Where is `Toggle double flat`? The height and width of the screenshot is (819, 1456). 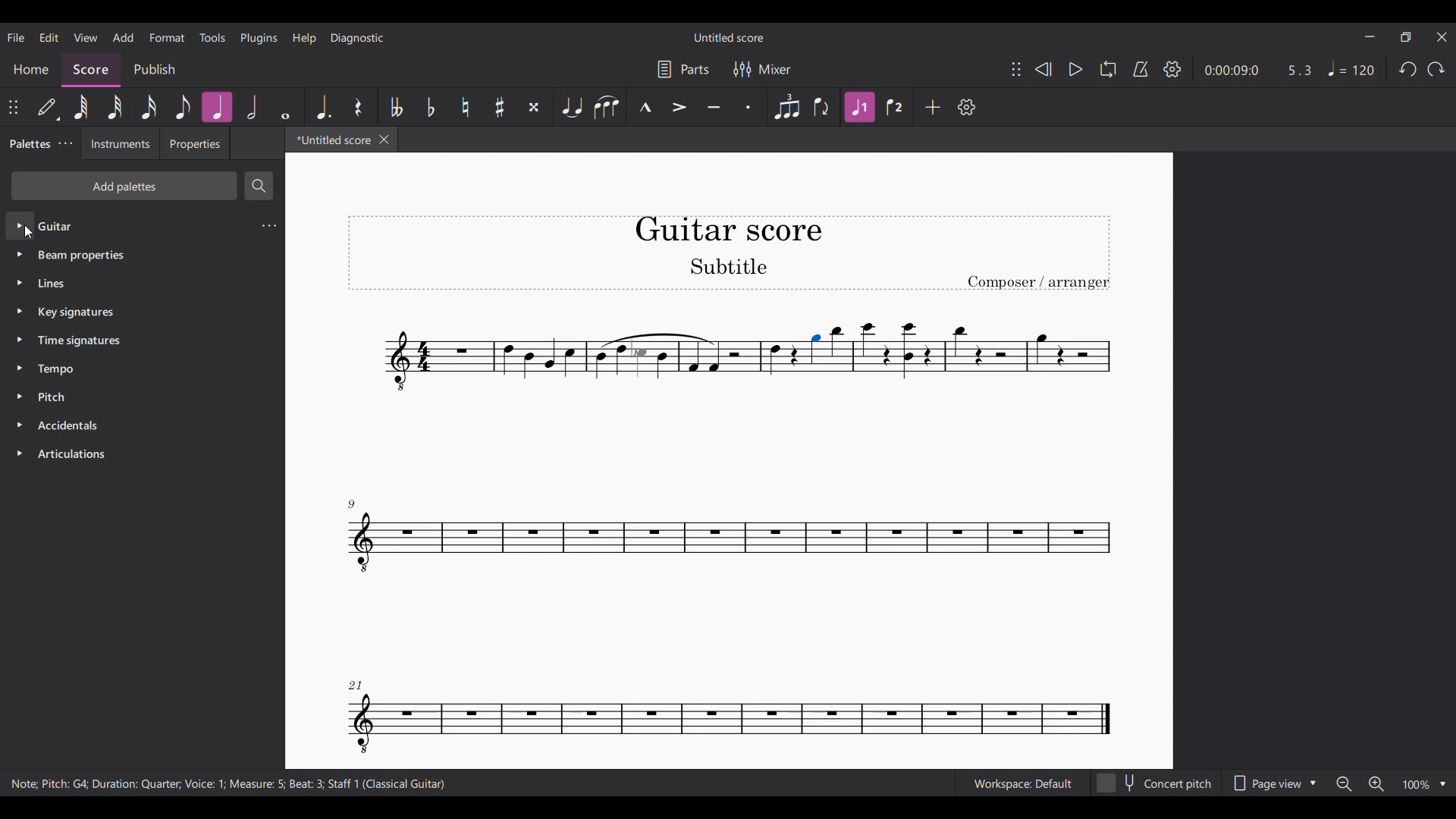 Toggle double flat is located at coordinates (396, 107).